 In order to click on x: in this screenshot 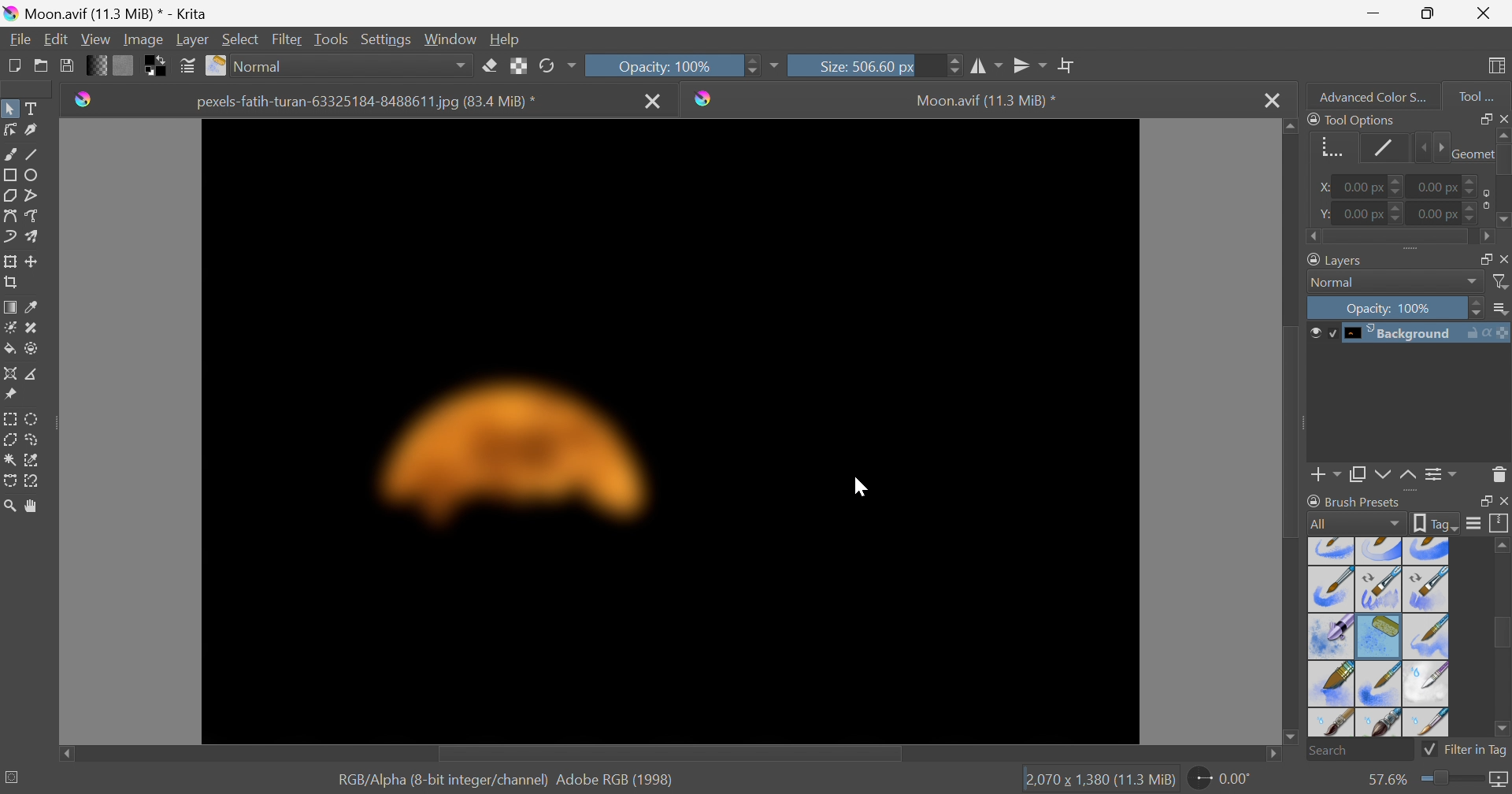, I will do `click(1325, 187)`.